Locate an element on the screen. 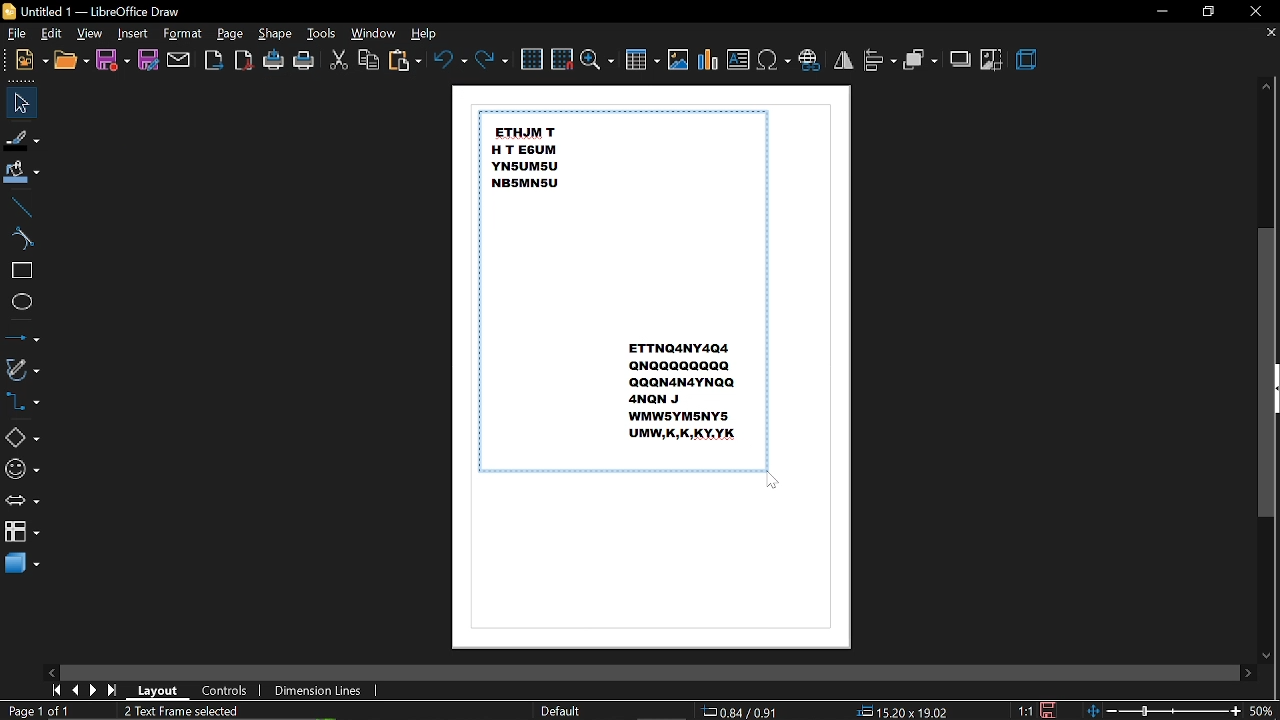 This screenshot has height=720, width=1280. basic shapes is located at coordinates (23, 436).